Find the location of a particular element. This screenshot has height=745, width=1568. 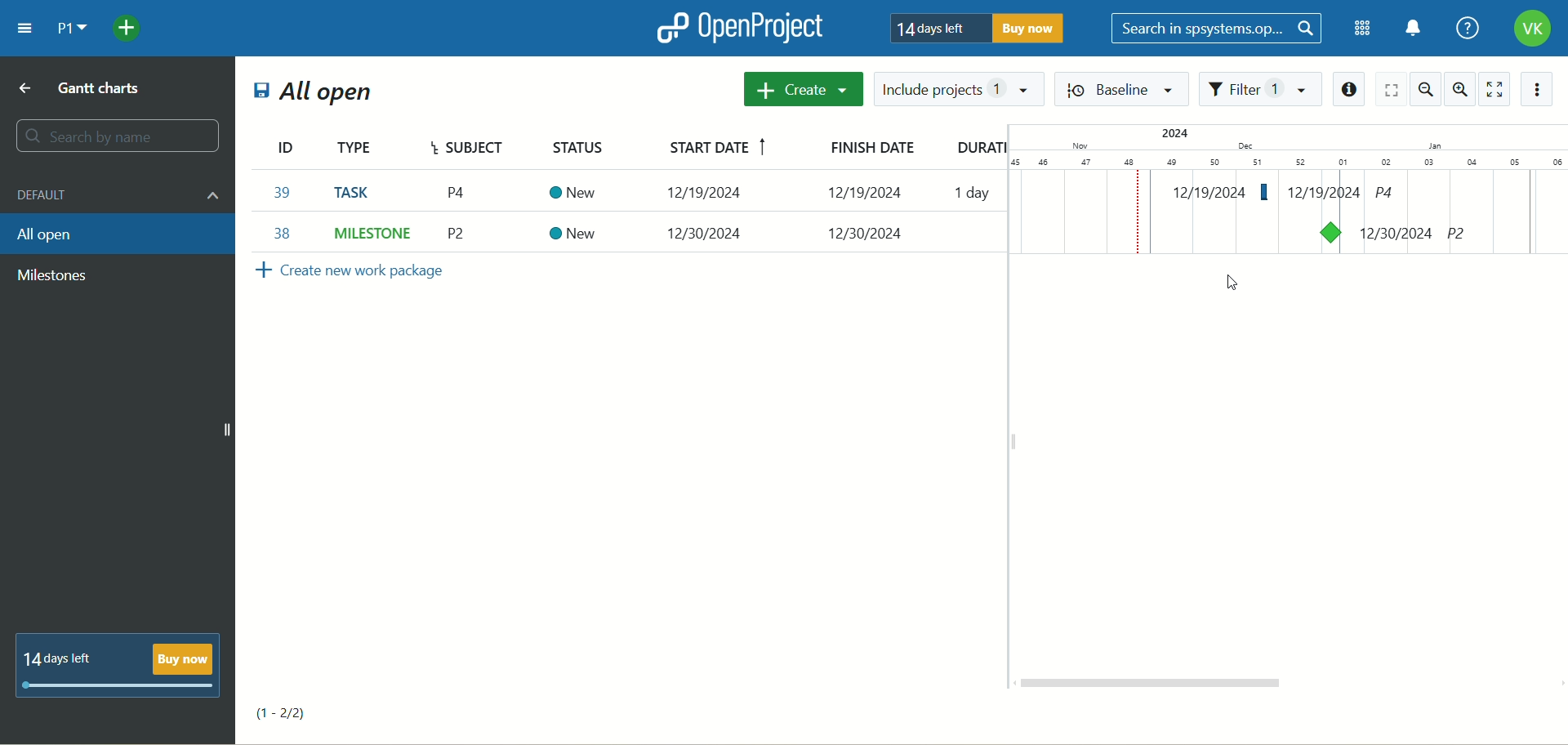

P2 is located at coordinates (461, 193).